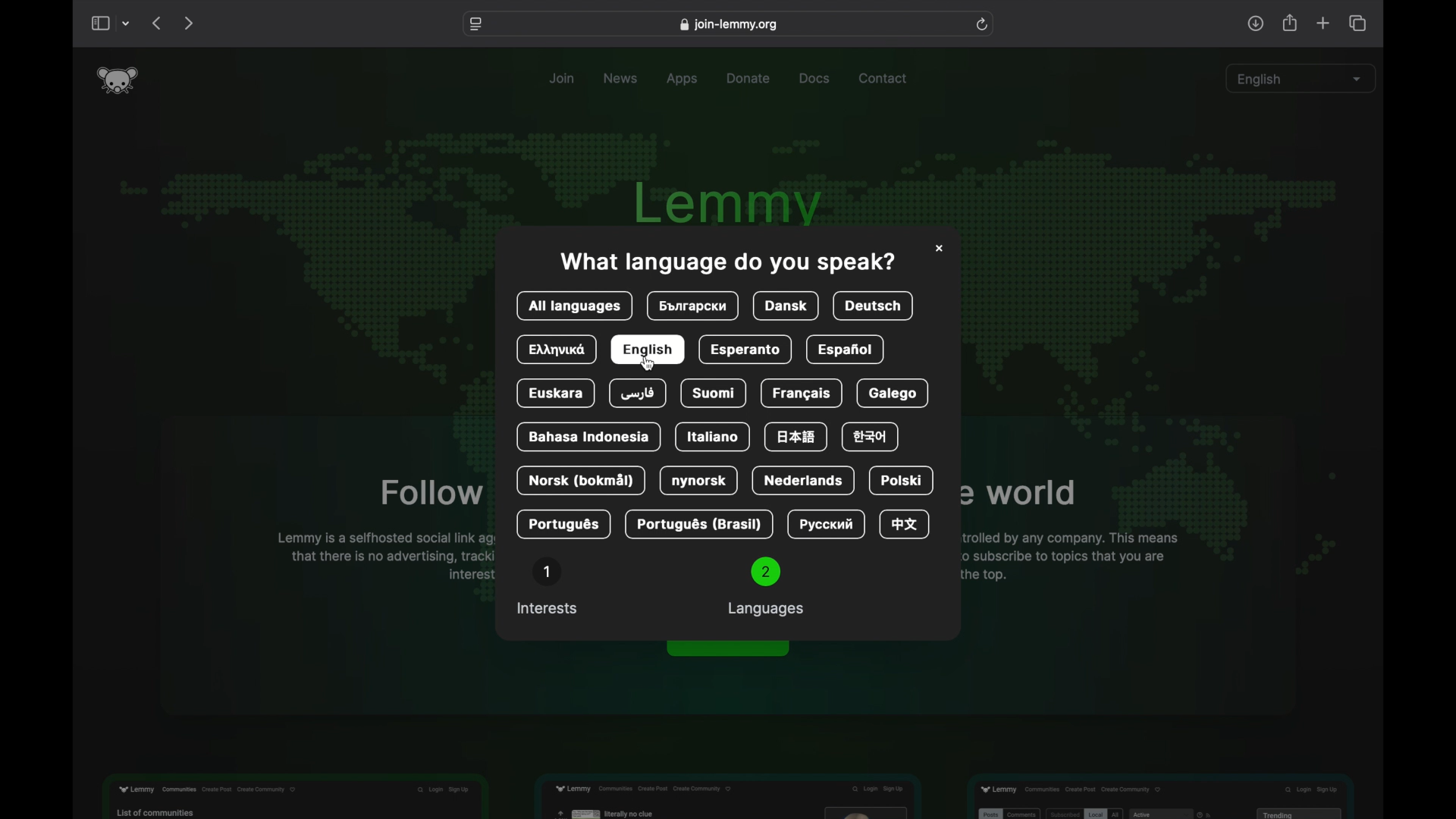  Describe the element at coordinates (156, 23) in the screenshot. I see `previous page` at that location.